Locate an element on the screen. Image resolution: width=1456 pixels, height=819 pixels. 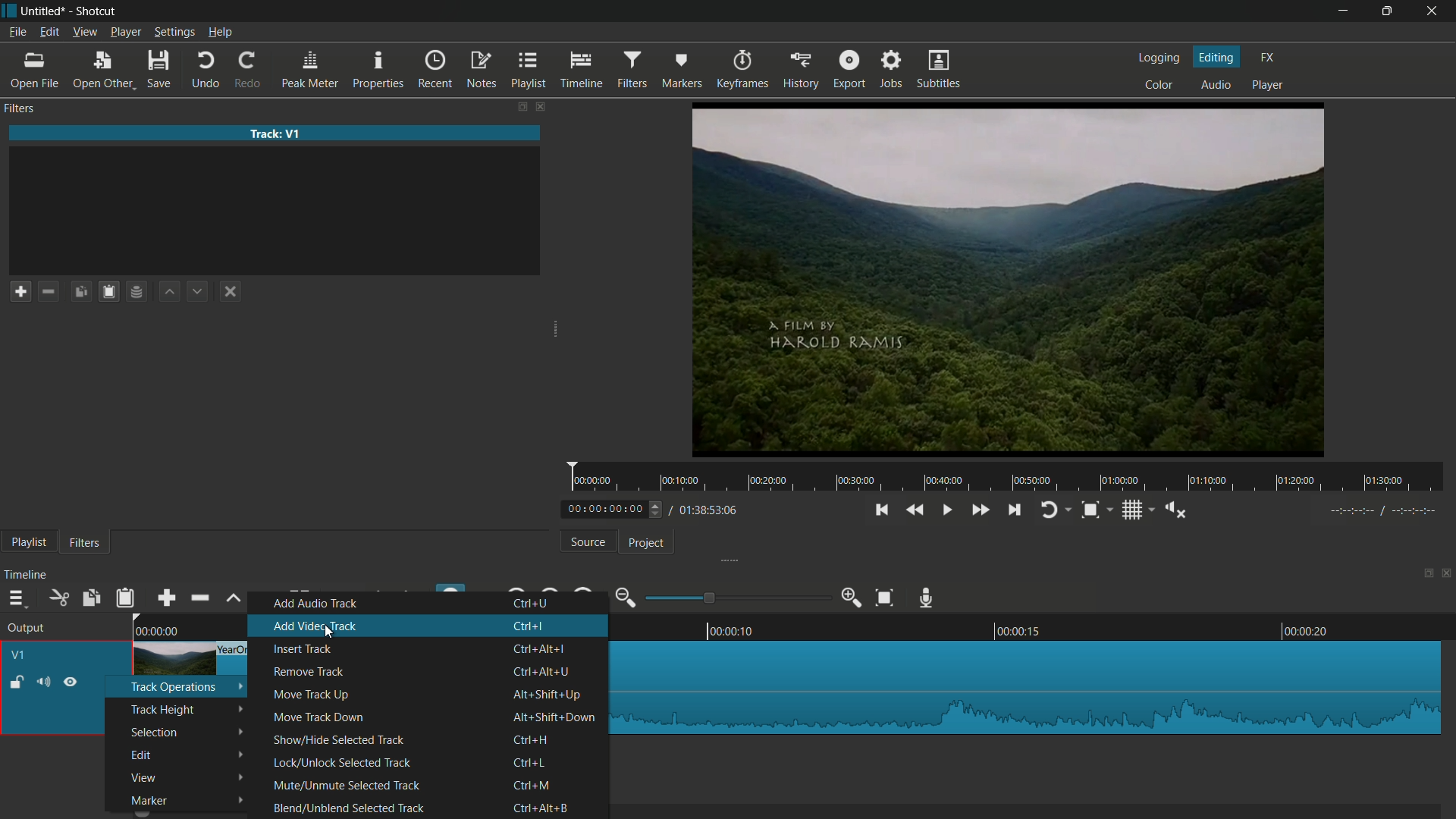
lock is located at coordinates (17, 681).